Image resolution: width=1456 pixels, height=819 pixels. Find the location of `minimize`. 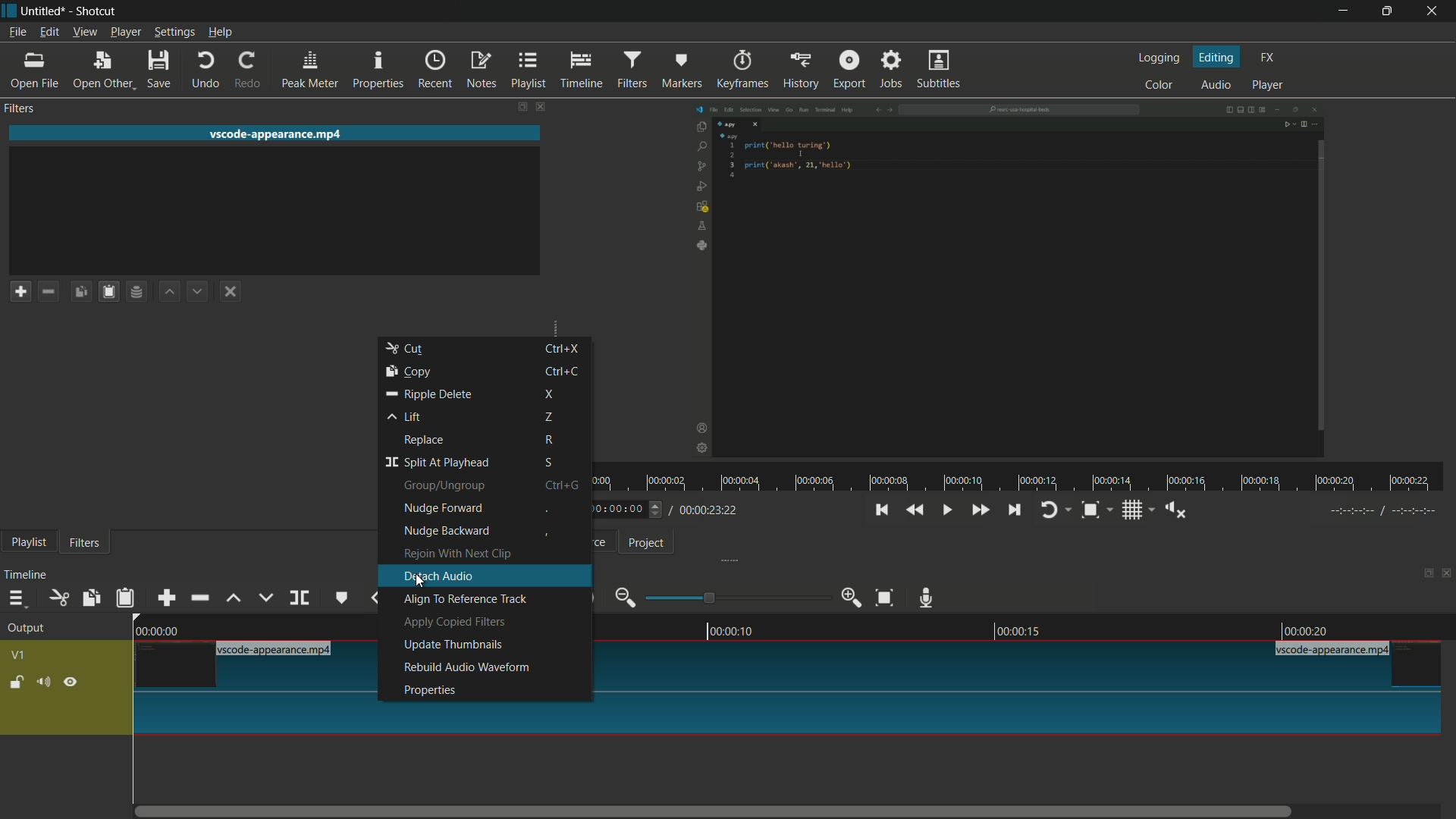

minimize is located at coordinates (1343, 11).